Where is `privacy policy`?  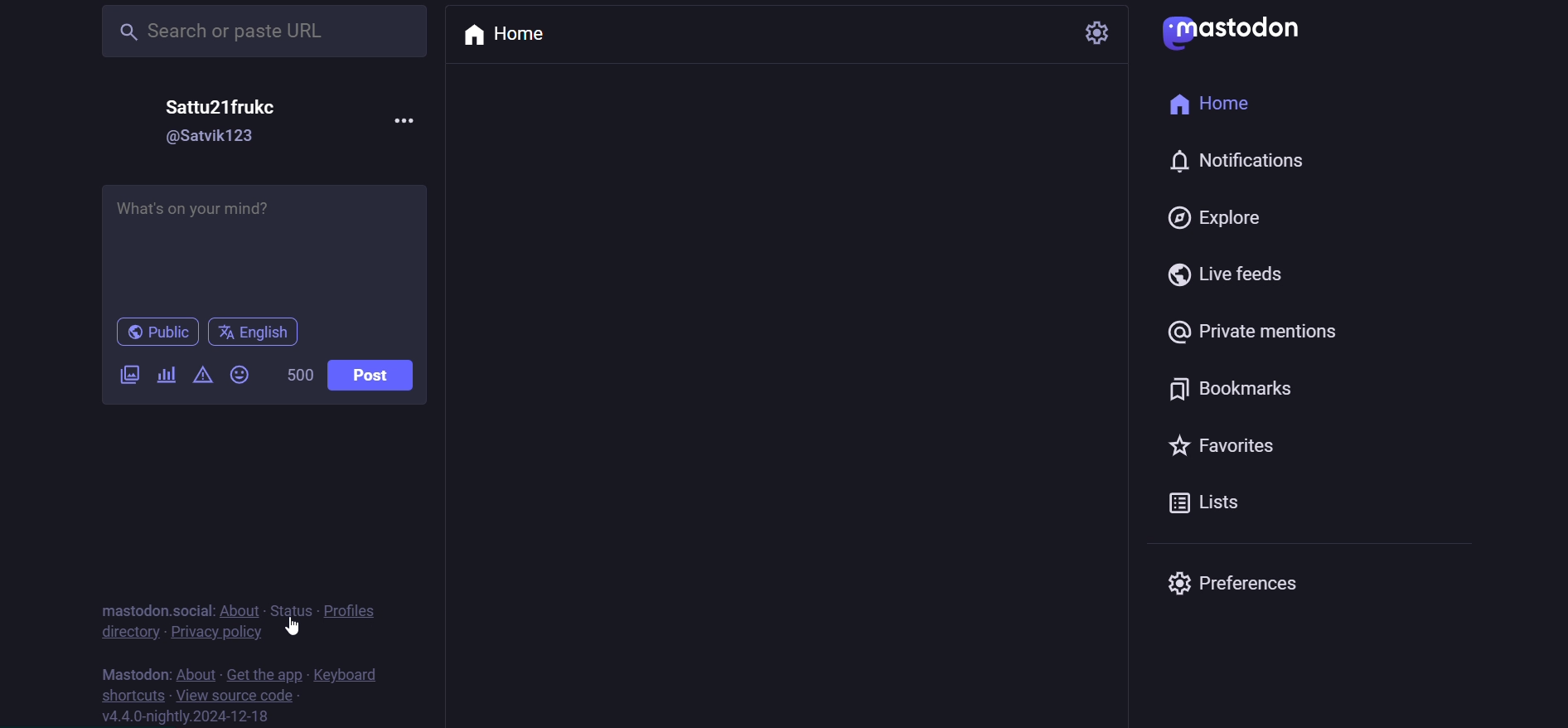 privacy policy is located at coordinates (219, 634).